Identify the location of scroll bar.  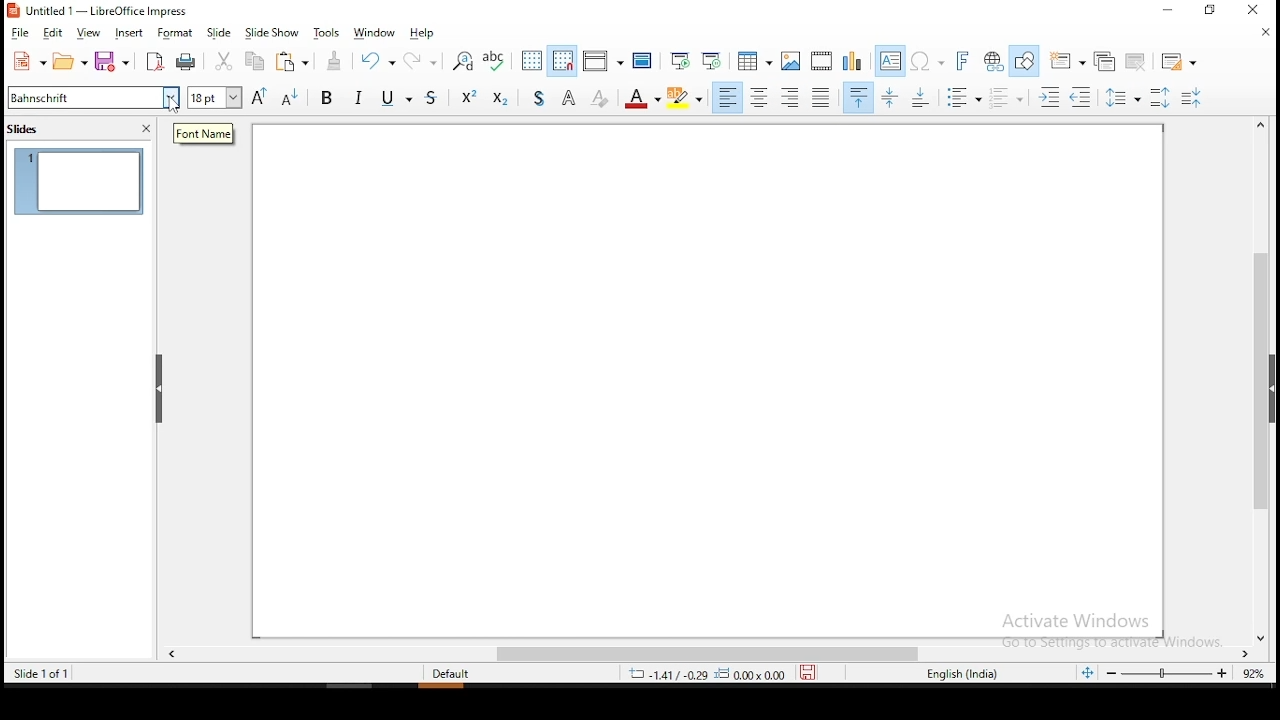
(705, 654).